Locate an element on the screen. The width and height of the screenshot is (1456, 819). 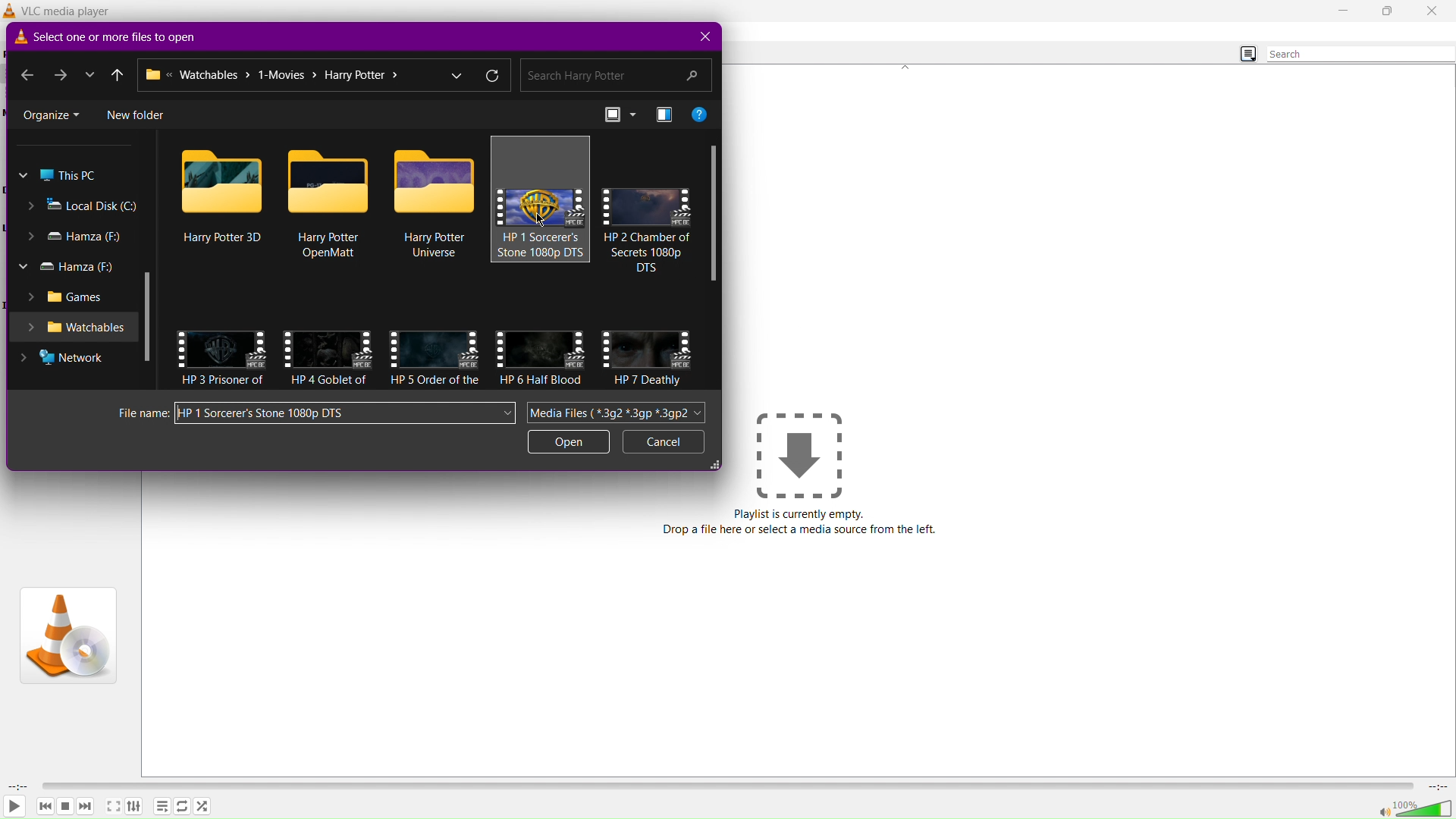
video file is located at coordinates (541, 206).